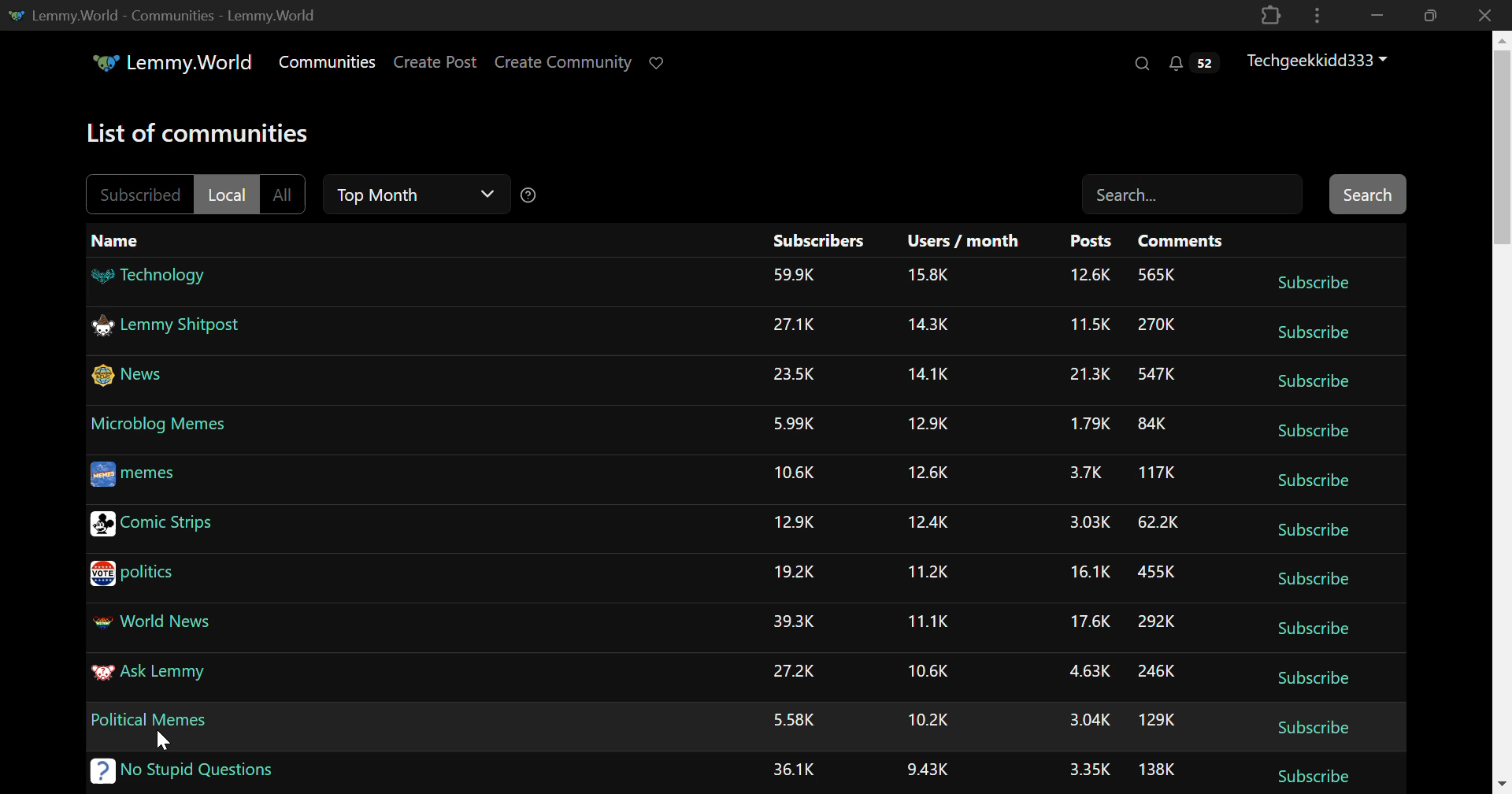 The height and width of the screenshot is (794, 1512). I want to click on Amount, so click(1158, 718).